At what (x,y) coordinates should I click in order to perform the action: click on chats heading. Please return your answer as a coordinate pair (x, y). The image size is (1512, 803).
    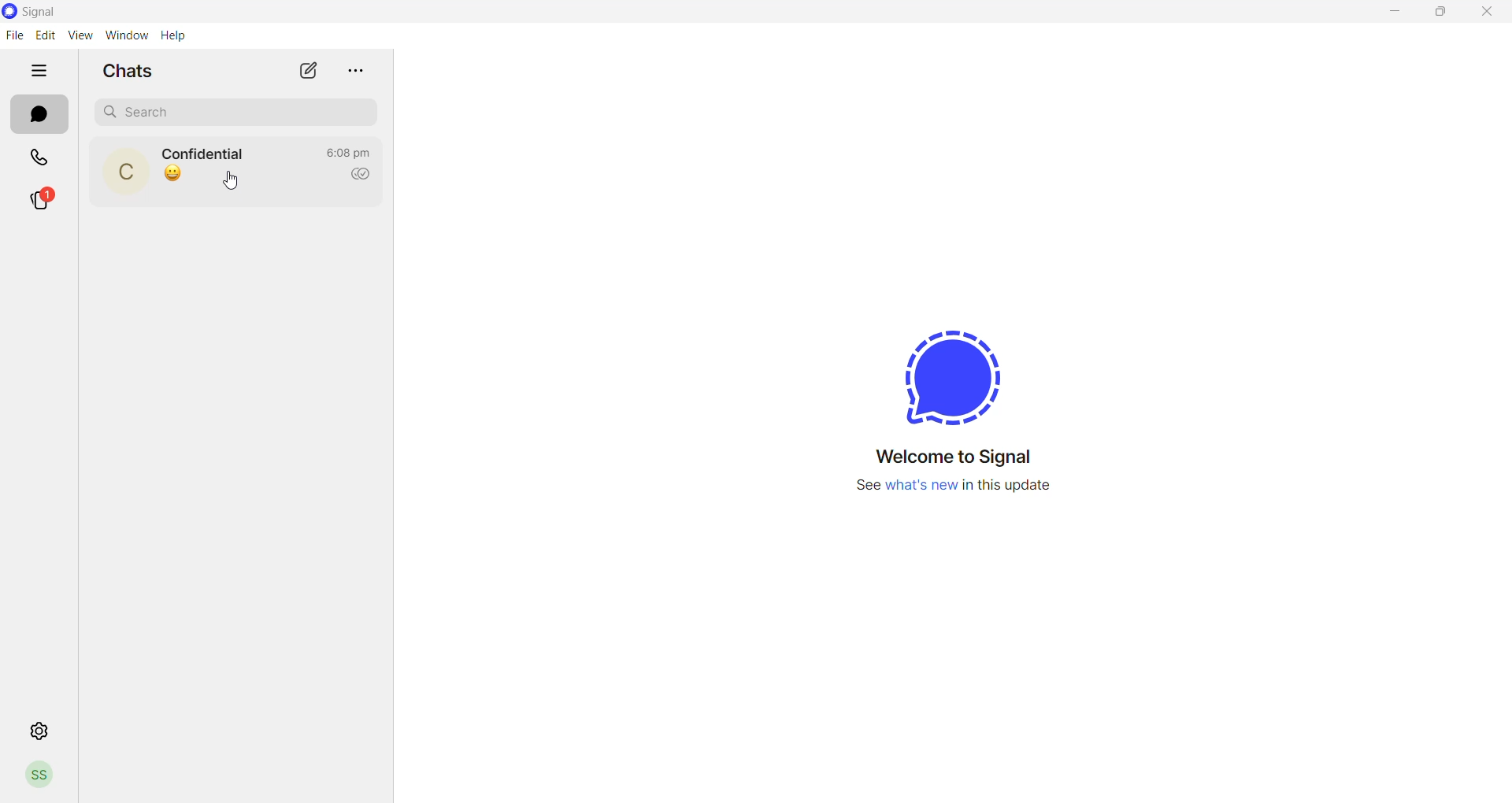
    Looking at the image, I should click on (129, 70).